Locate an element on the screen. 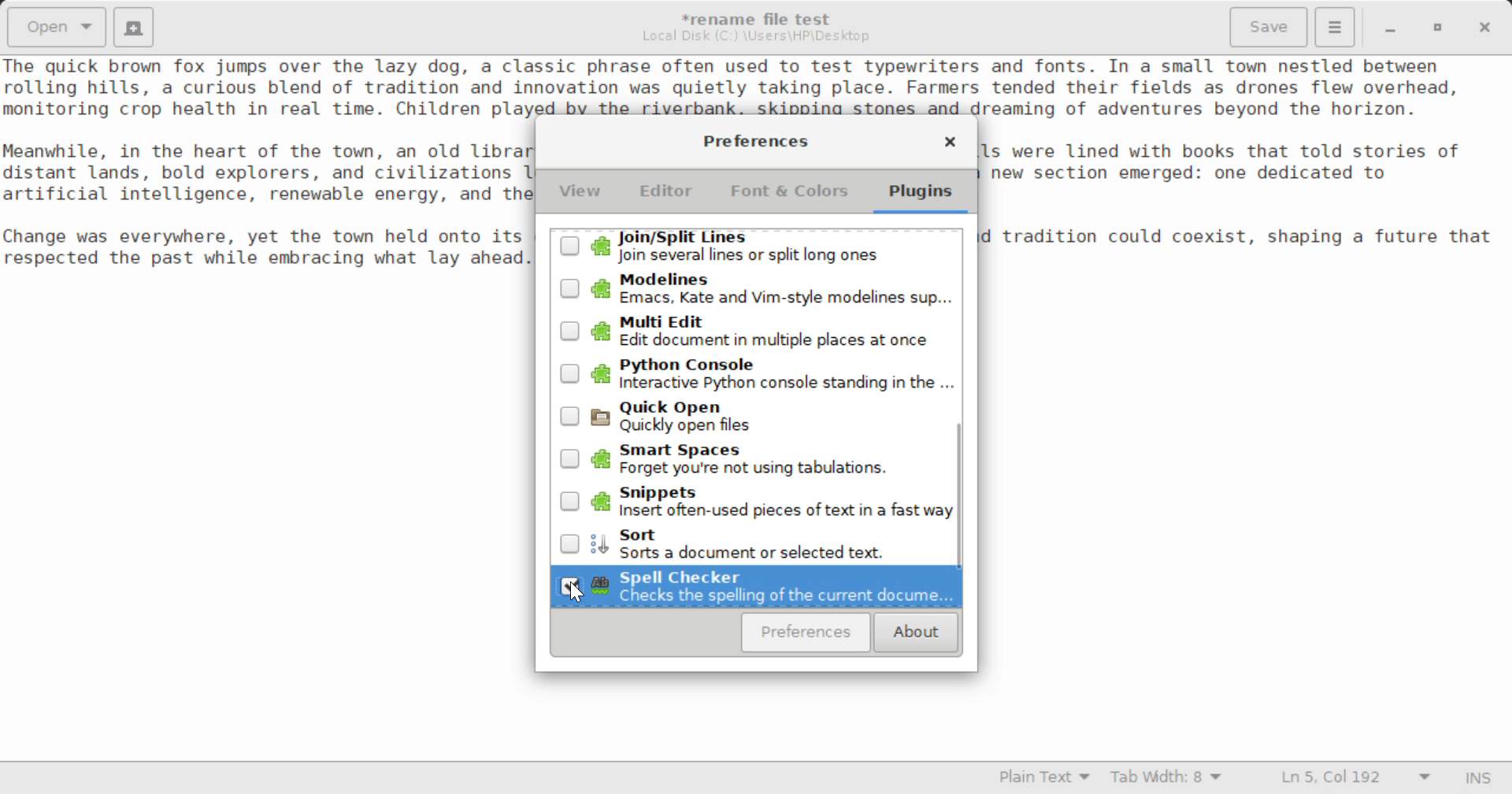  Minimize is located at coordinates (1438, 28).